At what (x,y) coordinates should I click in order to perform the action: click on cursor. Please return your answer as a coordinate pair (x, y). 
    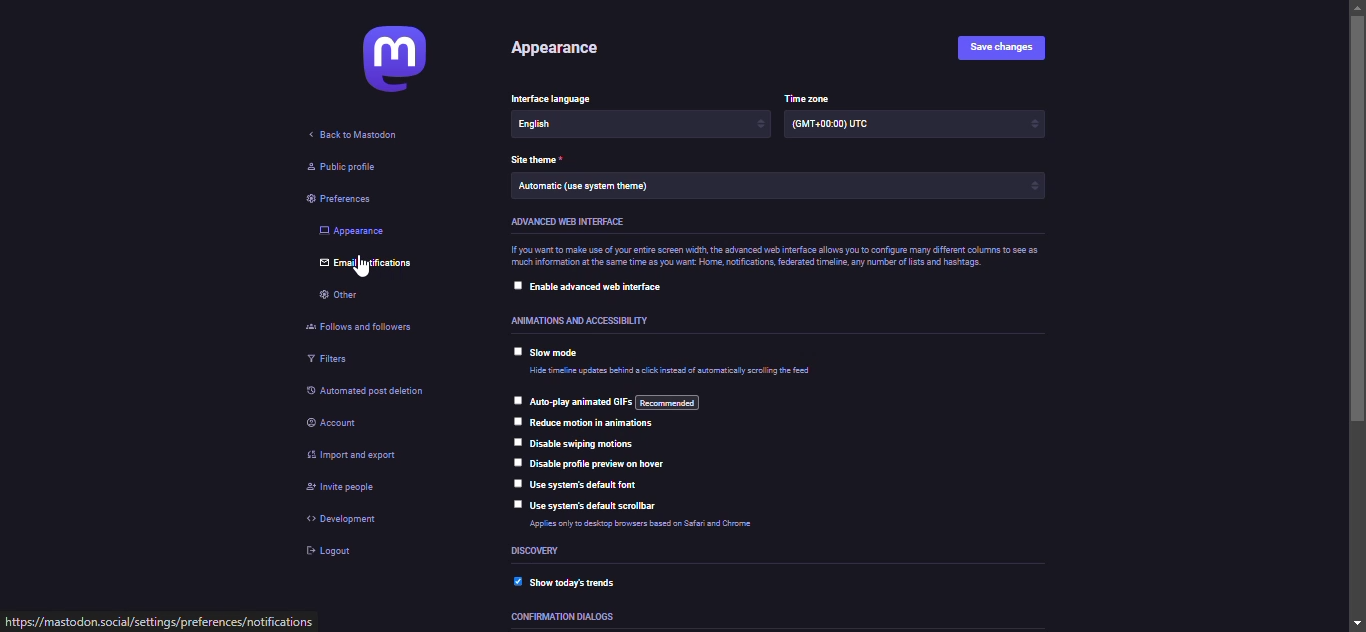
    Looking at the image, I should click on (354, 269).